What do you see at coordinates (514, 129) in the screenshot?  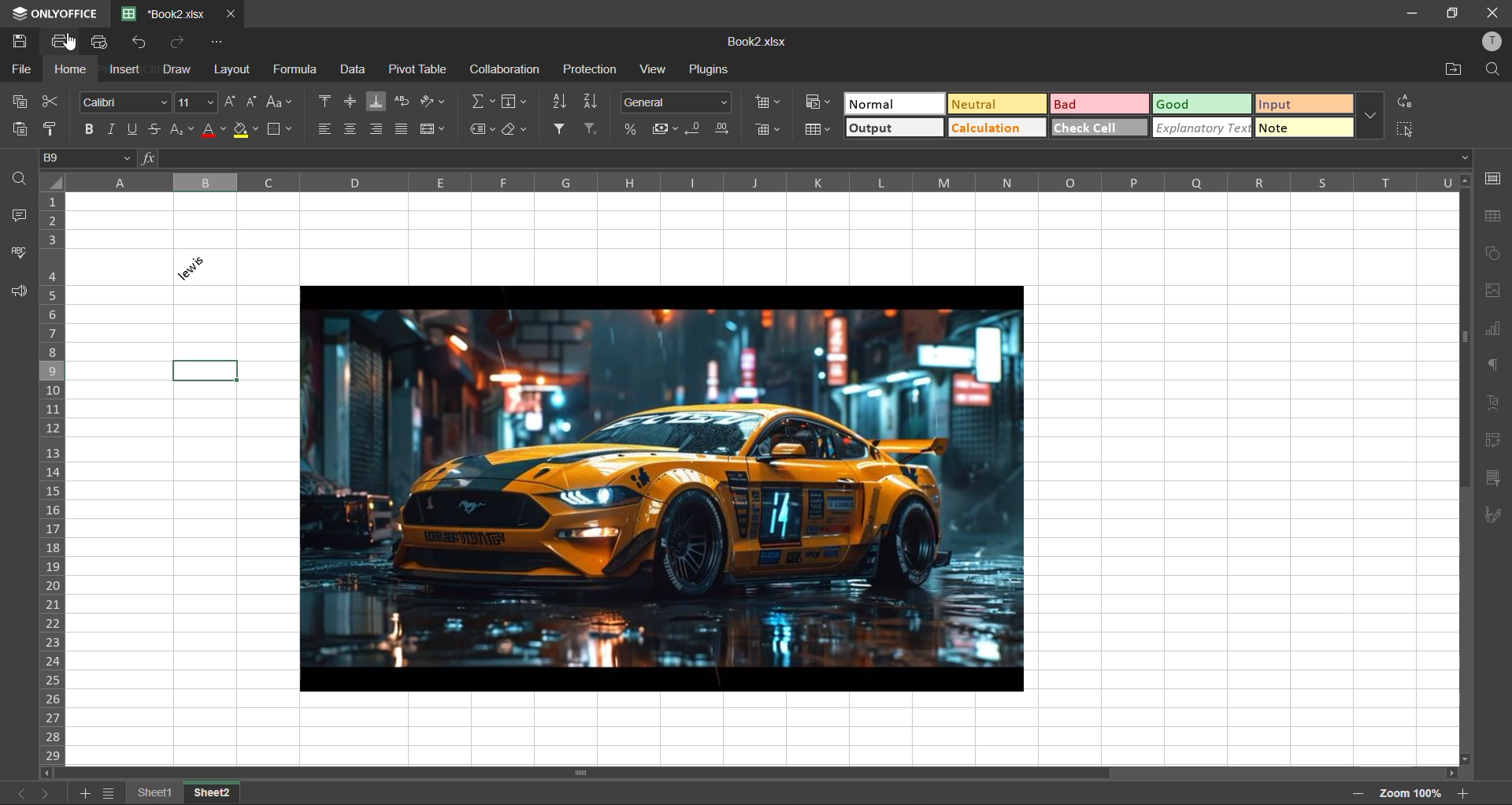 I see `clear` at bounding box center [514, 129].